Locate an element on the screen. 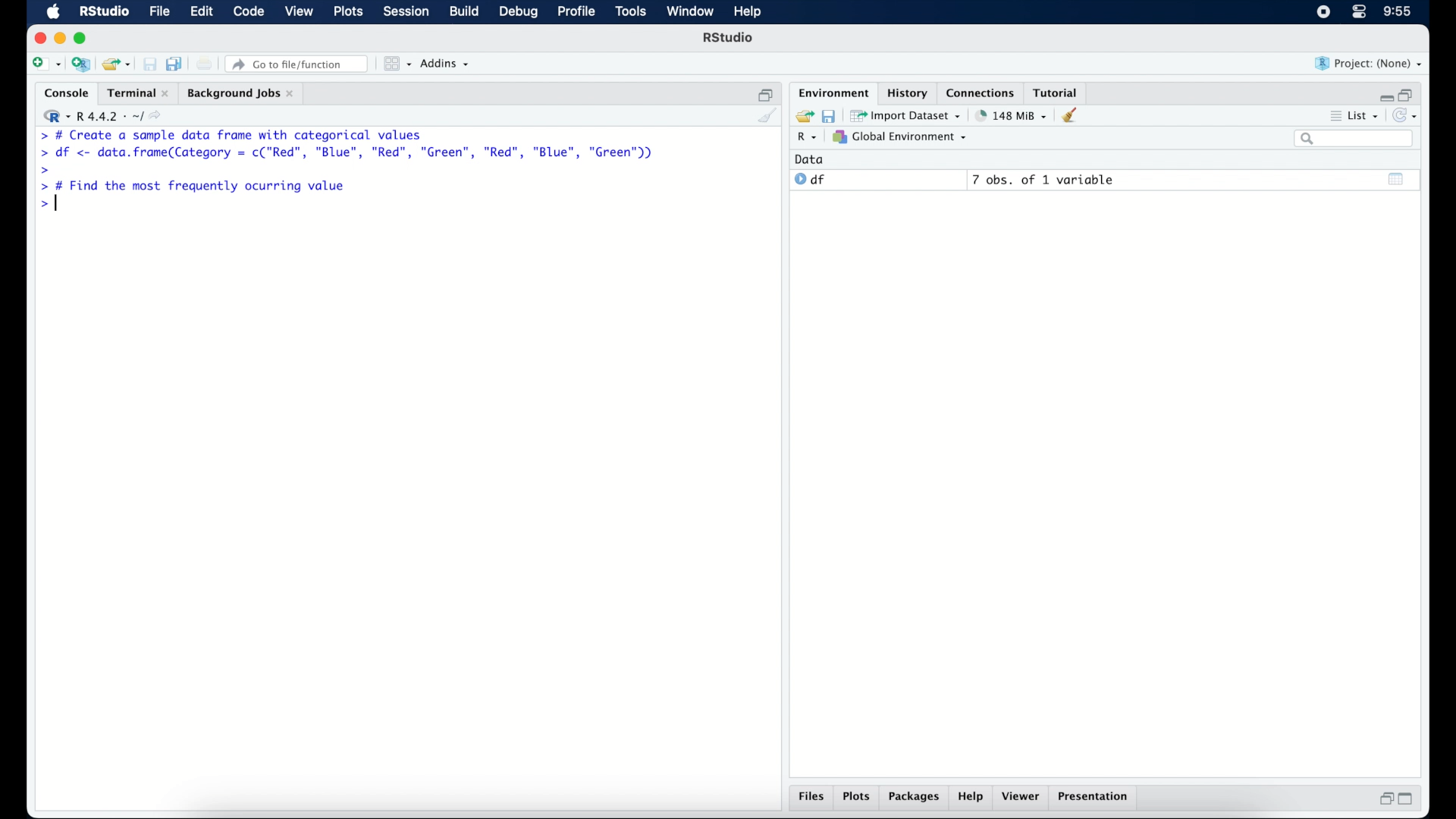 Image resolution: width=1456 pixels, height=819 pixels. restore down is located at coordinates (1410, 93).